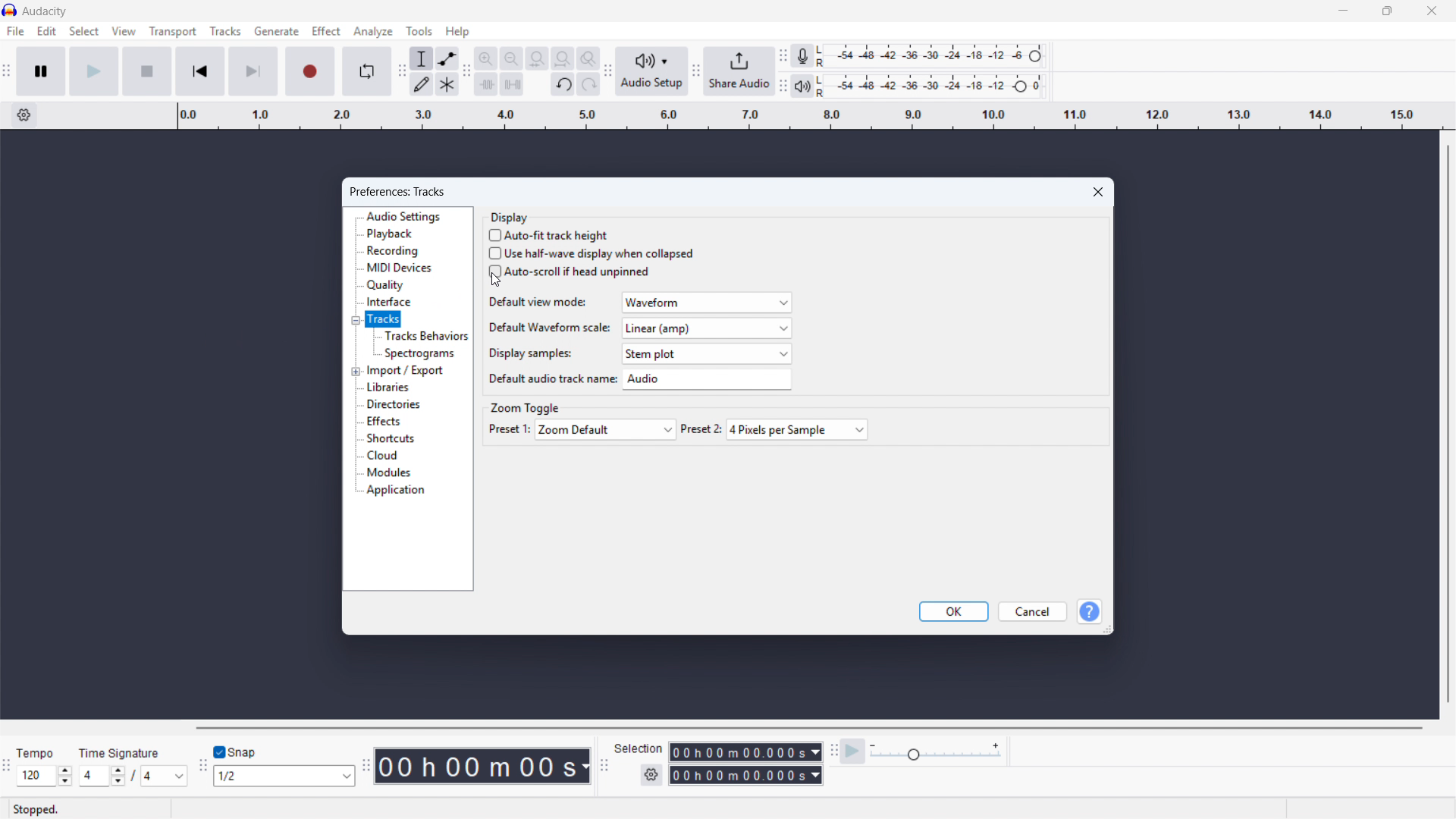 The width and height of the screenshot is (1456, 819). What do you see at coordinates (398, 192) in the screenshot?
I see `preferences: tracks` at bounding box center [398, 192].